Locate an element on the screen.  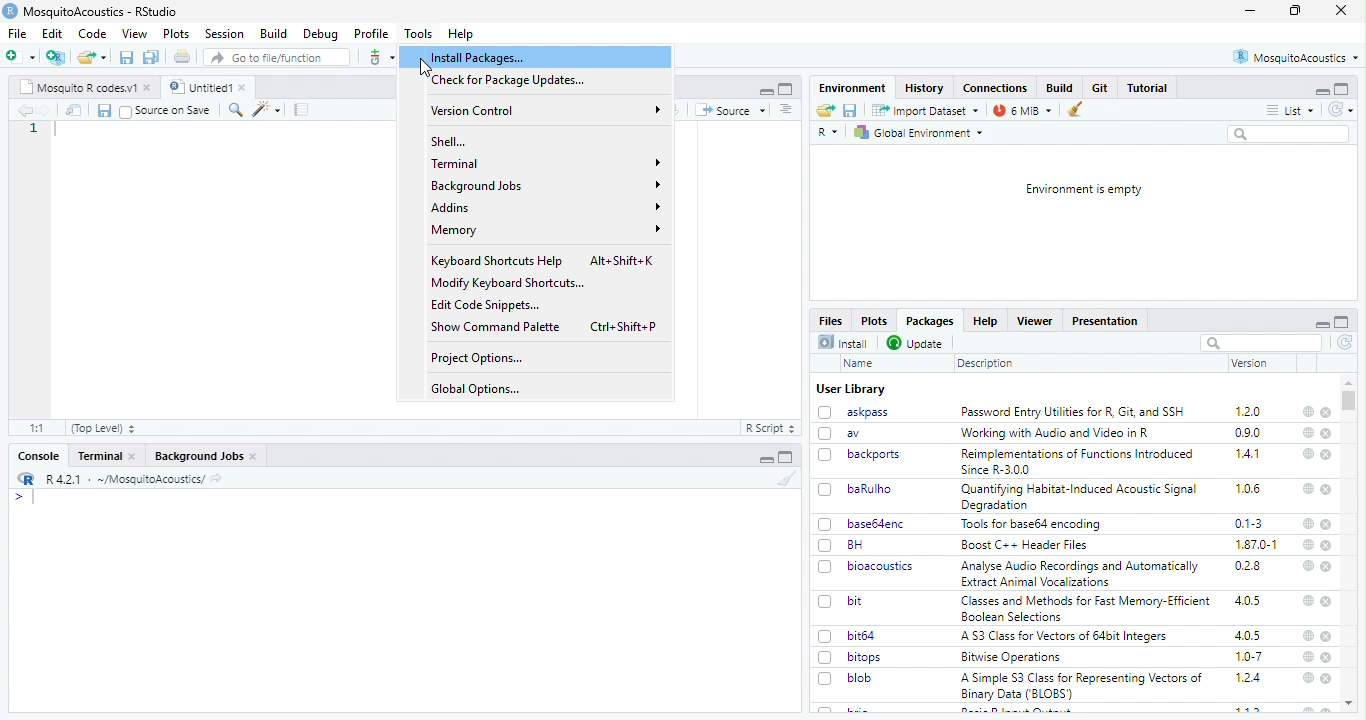
Memory is located at coordinates (546, 229).